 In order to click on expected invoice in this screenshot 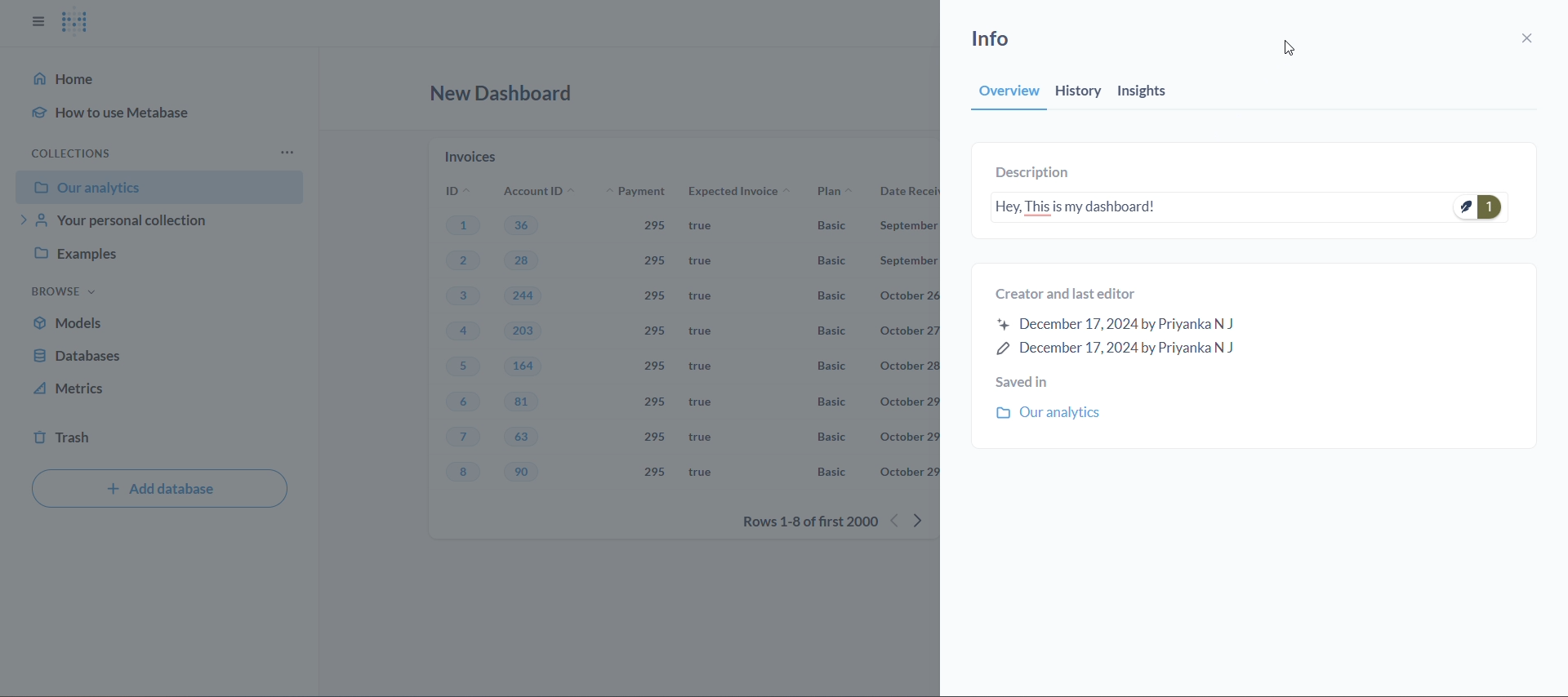, I will do `click(742, 191)`.